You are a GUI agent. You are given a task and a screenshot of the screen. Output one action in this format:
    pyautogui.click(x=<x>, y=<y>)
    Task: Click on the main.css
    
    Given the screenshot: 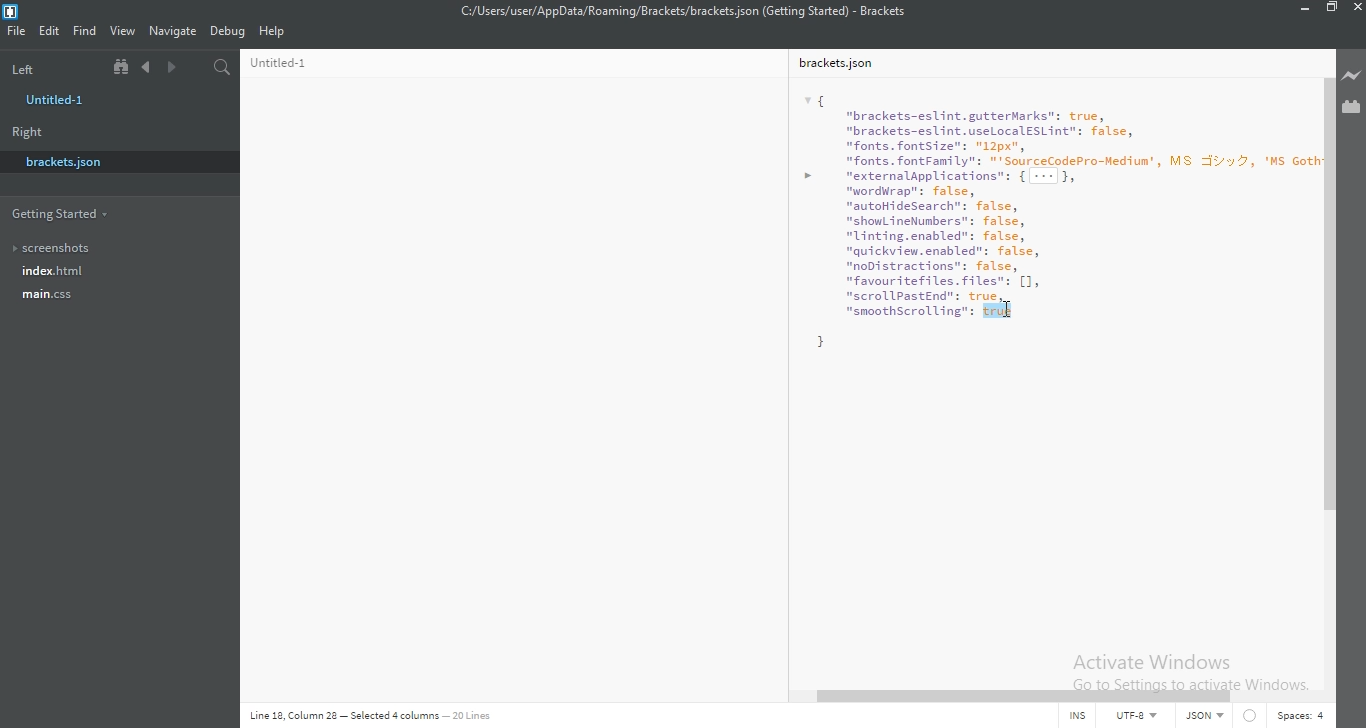 What is the action you would take?
    pyautogui.click(x=116, y=298)
    